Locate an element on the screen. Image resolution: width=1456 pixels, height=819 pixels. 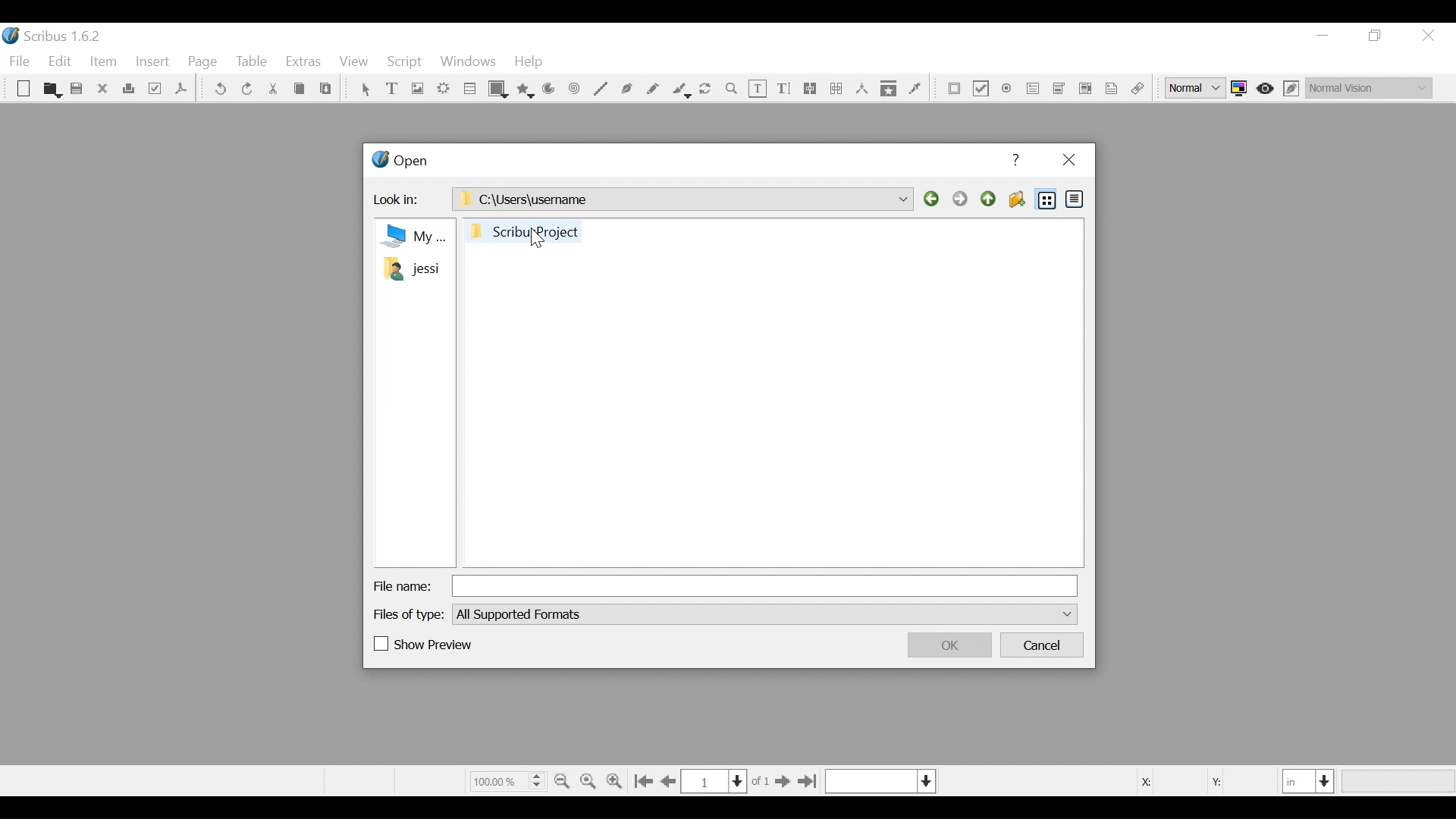
File Name Field is located at coordinates (767, 585).